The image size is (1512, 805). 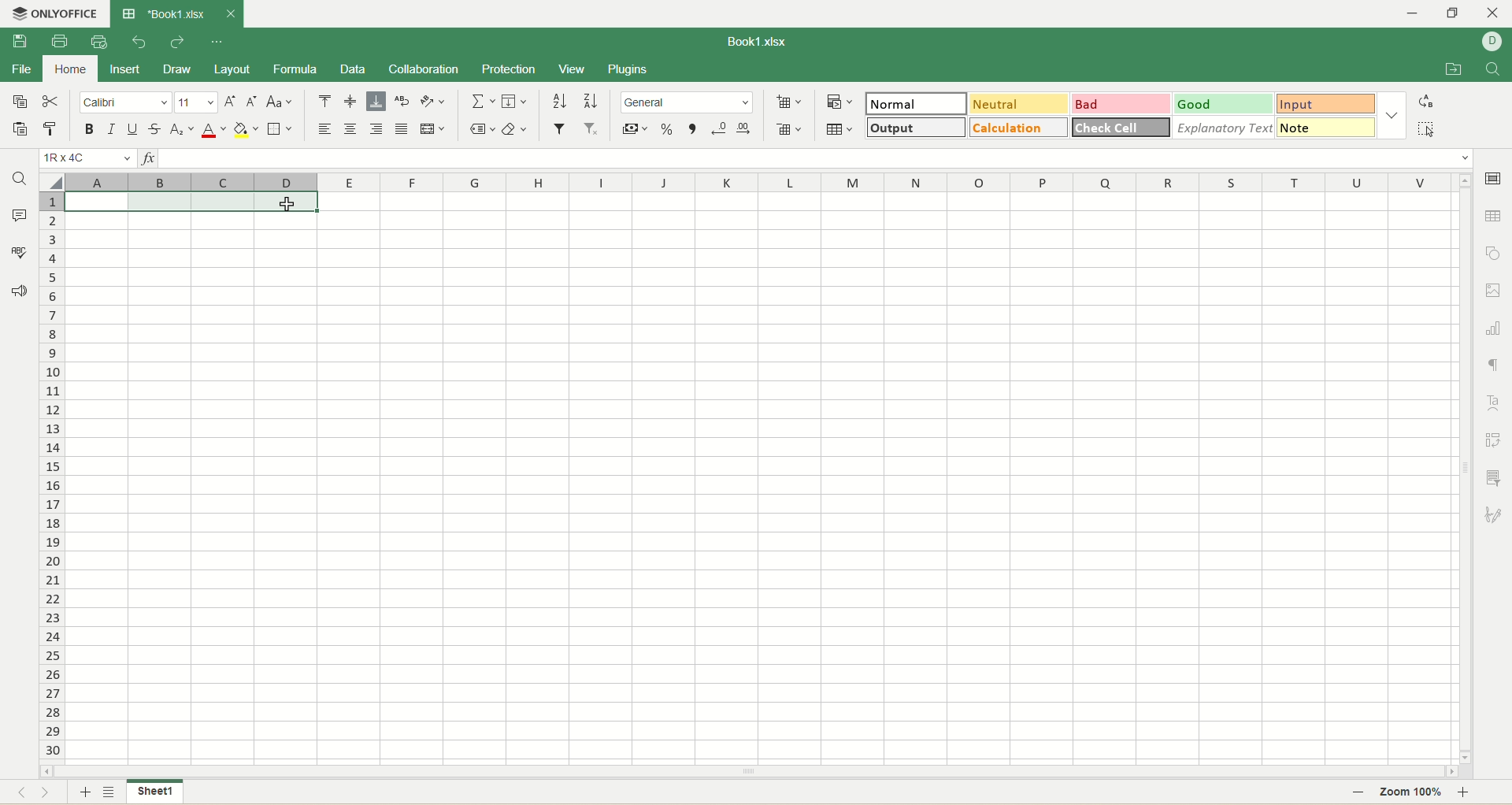 What do you see at coordinates (21, 128) in the screenshot?
I see `paste` at bounding box center [21, 128].